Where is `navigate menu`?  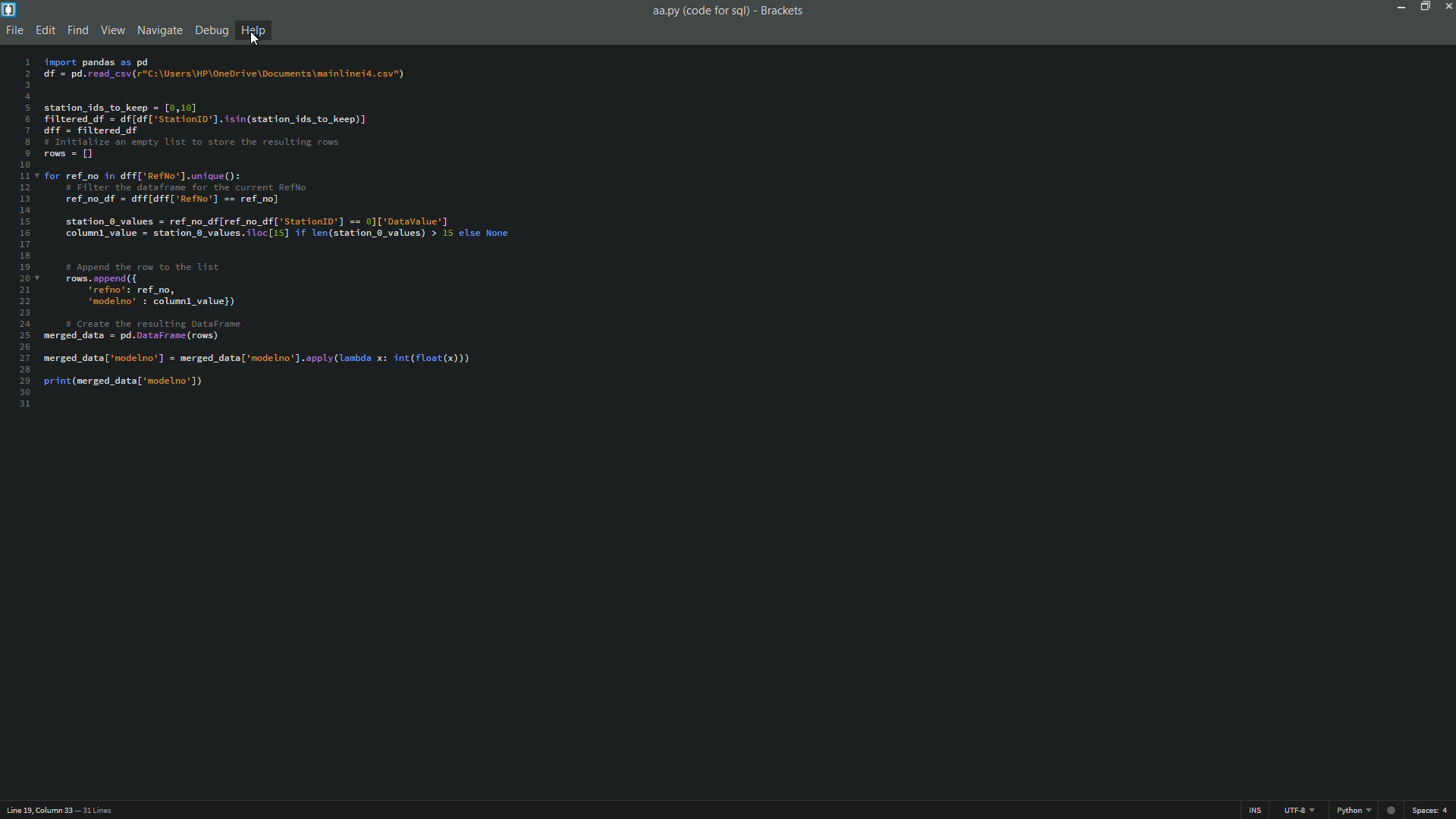 navigate menu is located at coordinates (159, 30).